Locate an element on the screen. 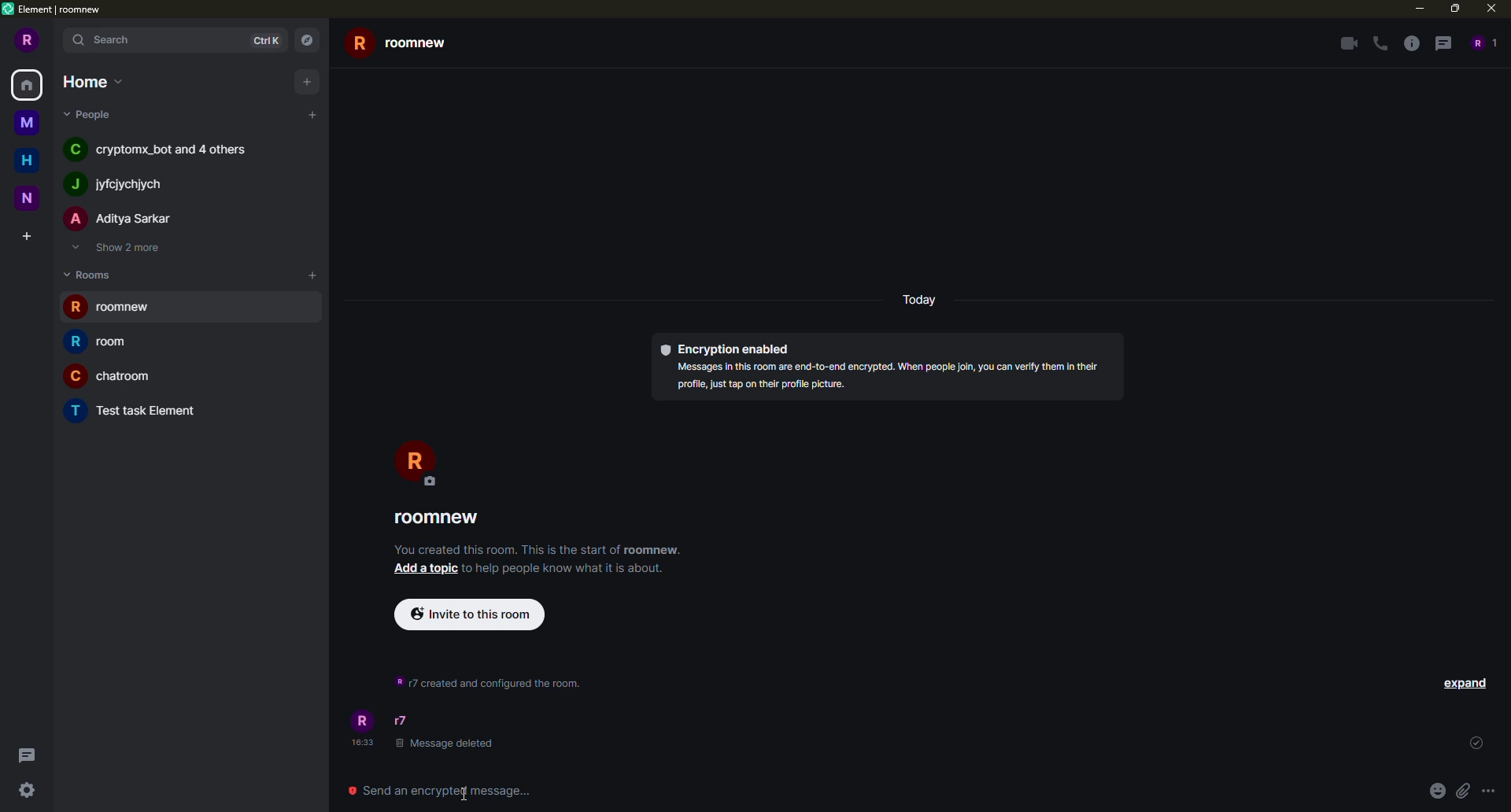  show 2 more is located at coordinates (120, 248).